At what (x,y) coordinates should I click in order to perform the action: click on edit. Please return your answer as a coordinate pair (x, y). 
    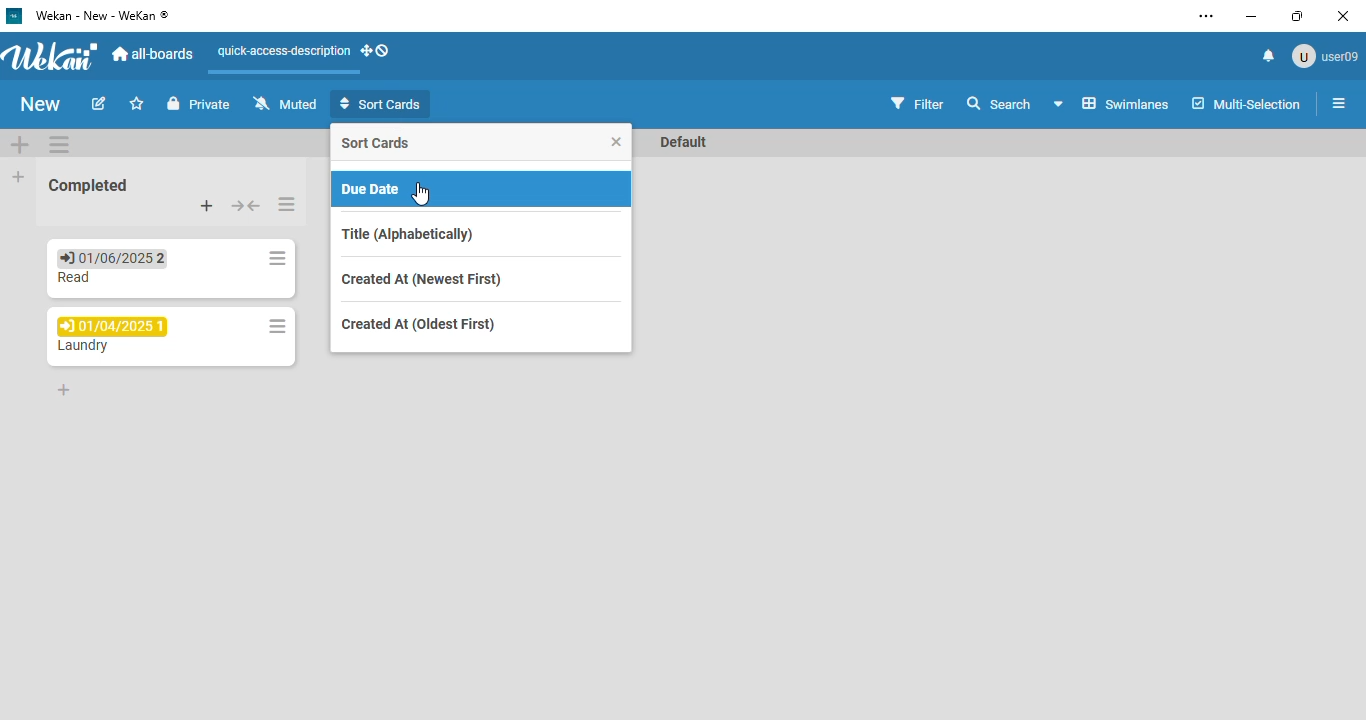
    Looking at the image, I should click on (99, 103).